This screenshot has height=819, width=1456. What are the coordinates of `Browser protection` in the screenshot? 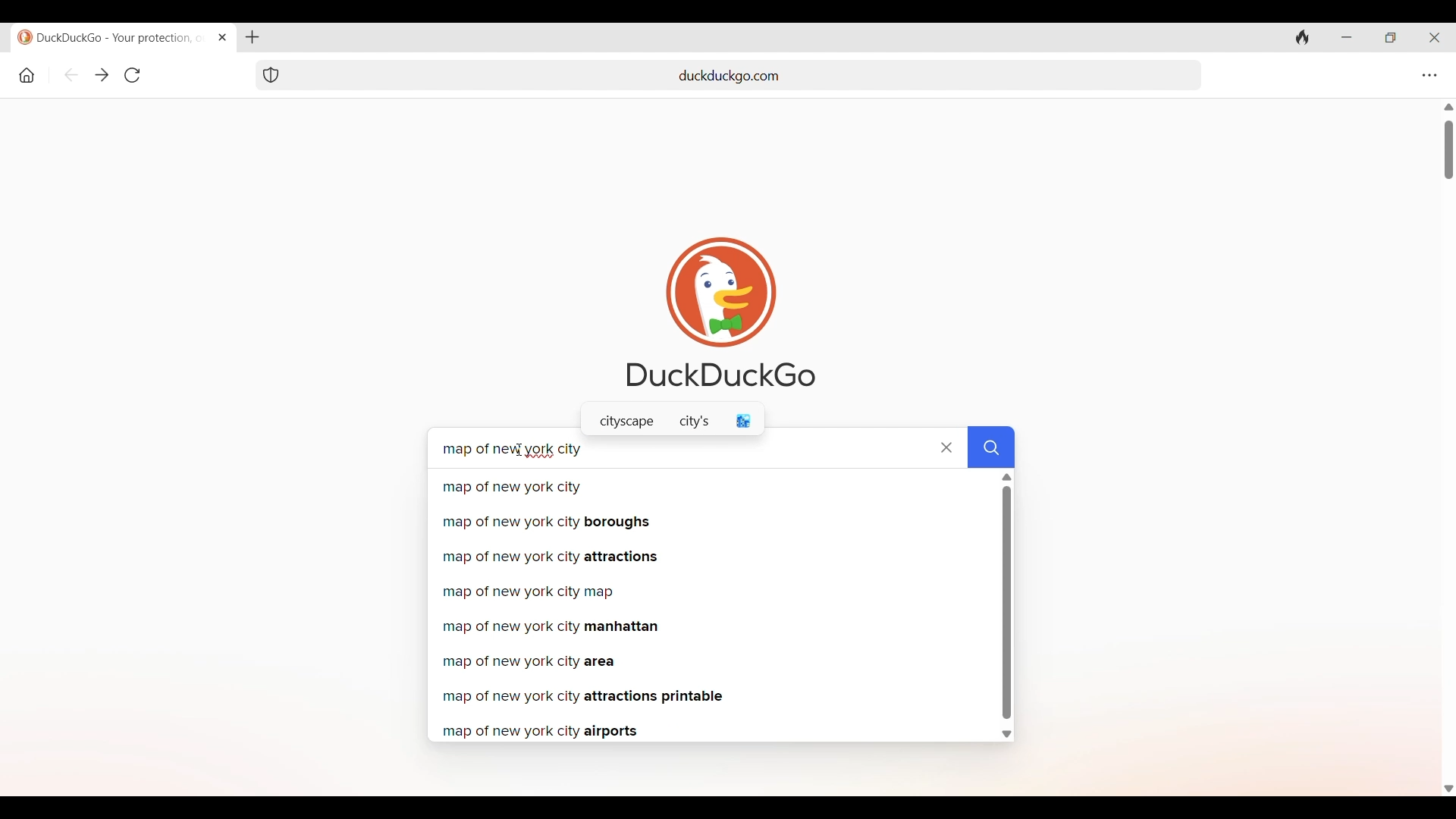 It's located at (271, 75).